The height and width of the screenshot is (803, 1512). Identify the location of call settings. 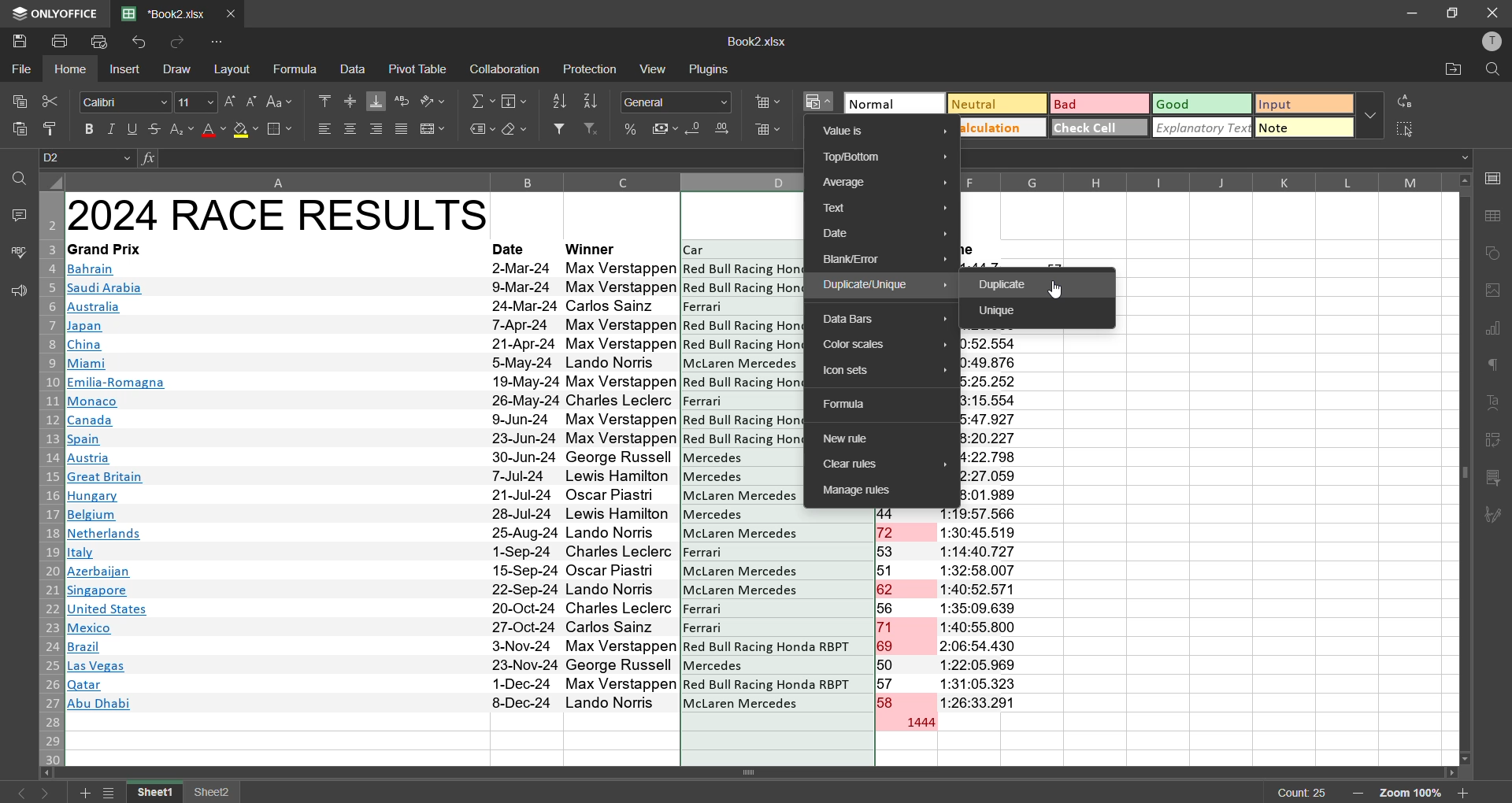
(1495, 182).